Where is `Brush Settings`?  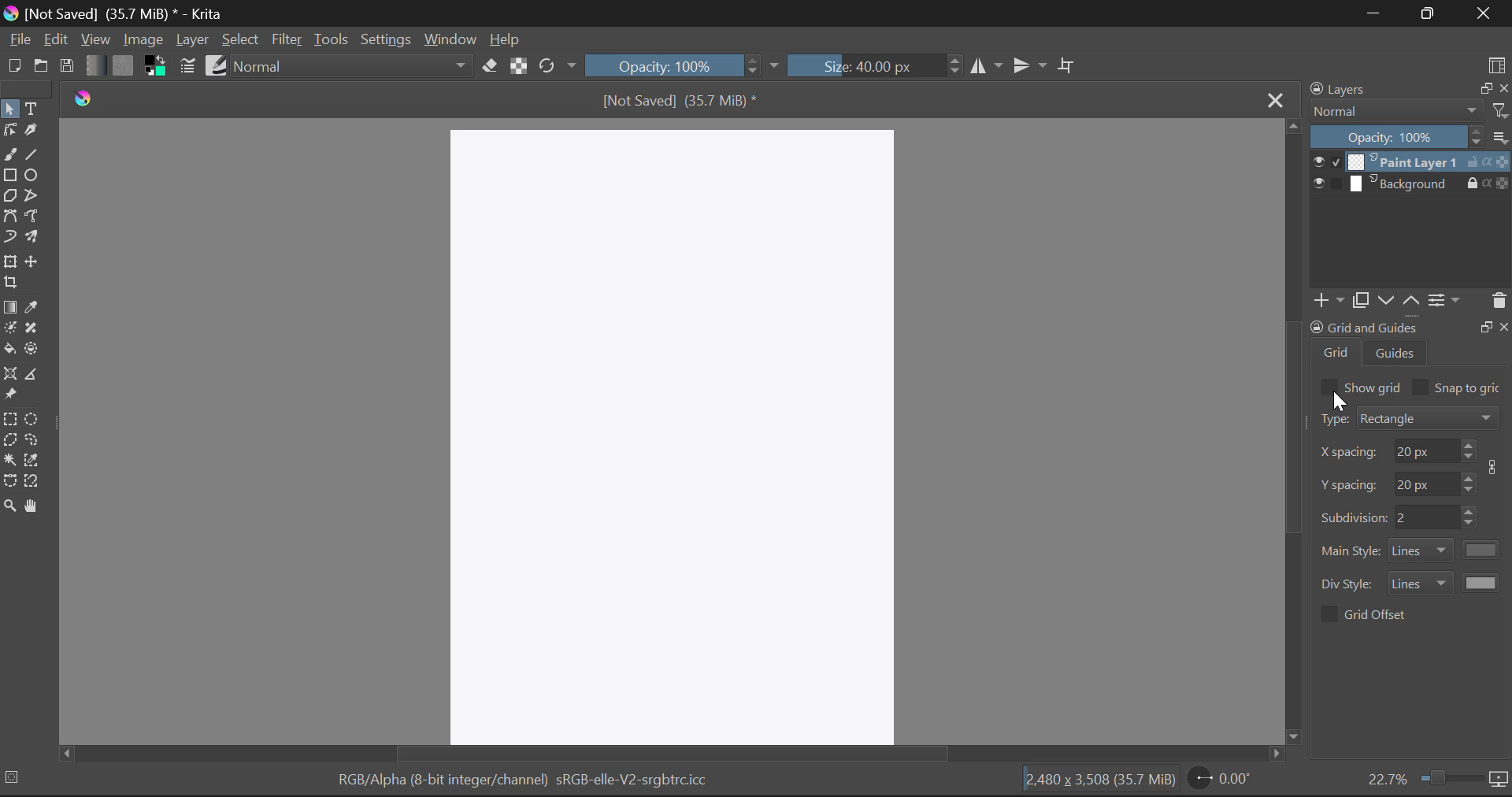 Brush Settings is located at coordinates (186, 67).